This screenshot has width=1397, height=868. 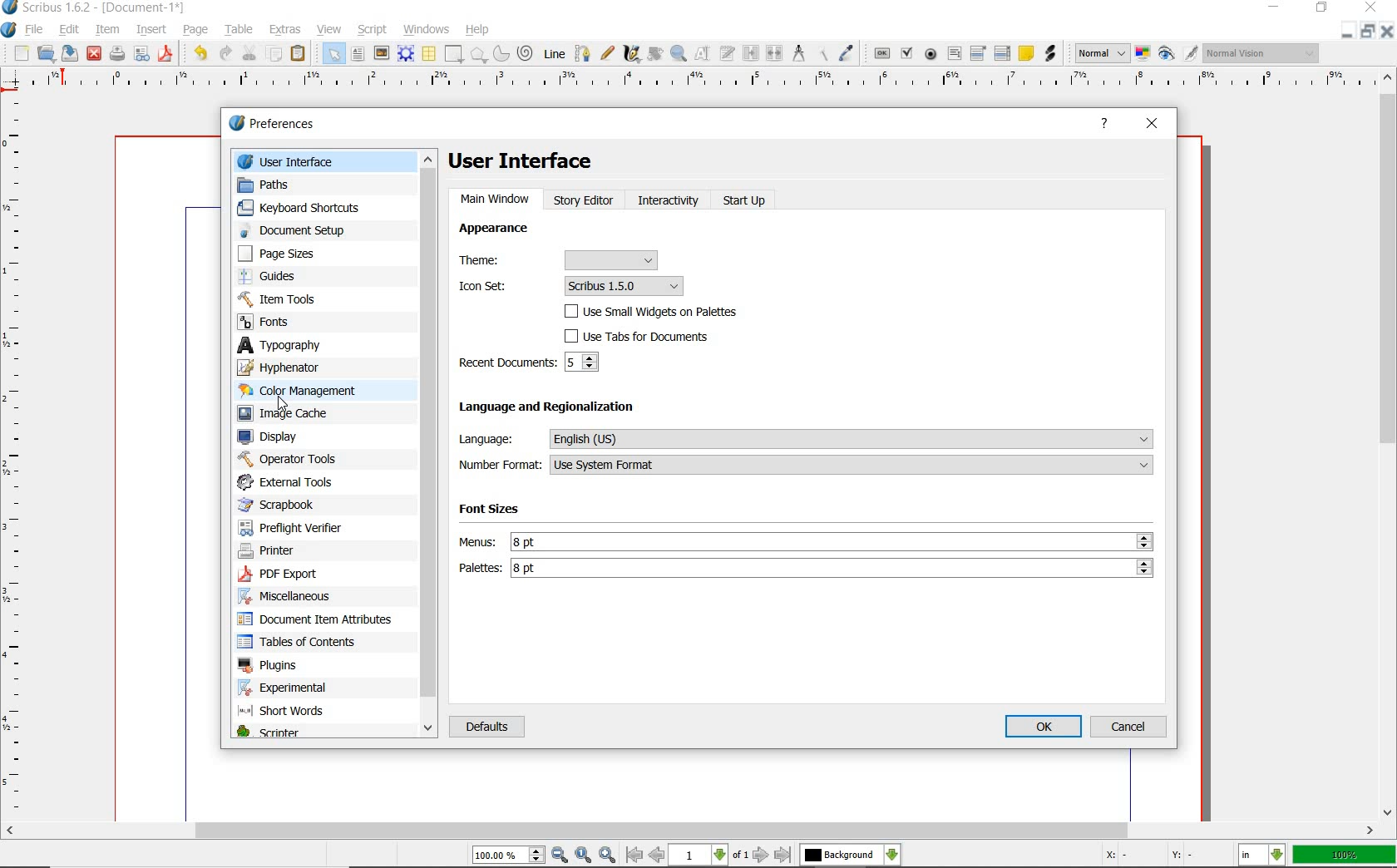 I want to click on user interface, so click(x=521, y=160).